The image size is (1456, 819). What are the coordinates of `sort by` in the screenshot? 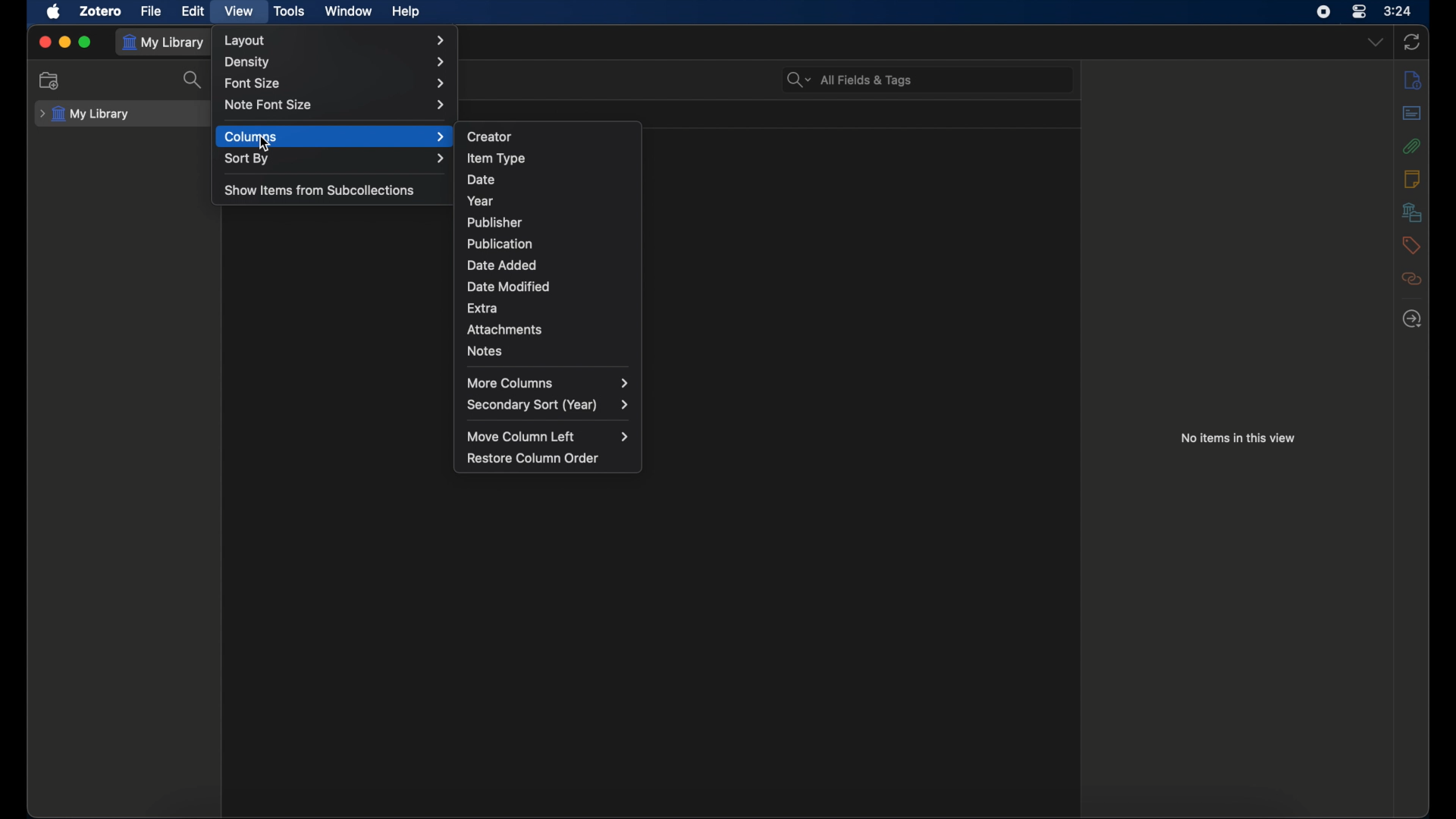 It's located at (336, 160).